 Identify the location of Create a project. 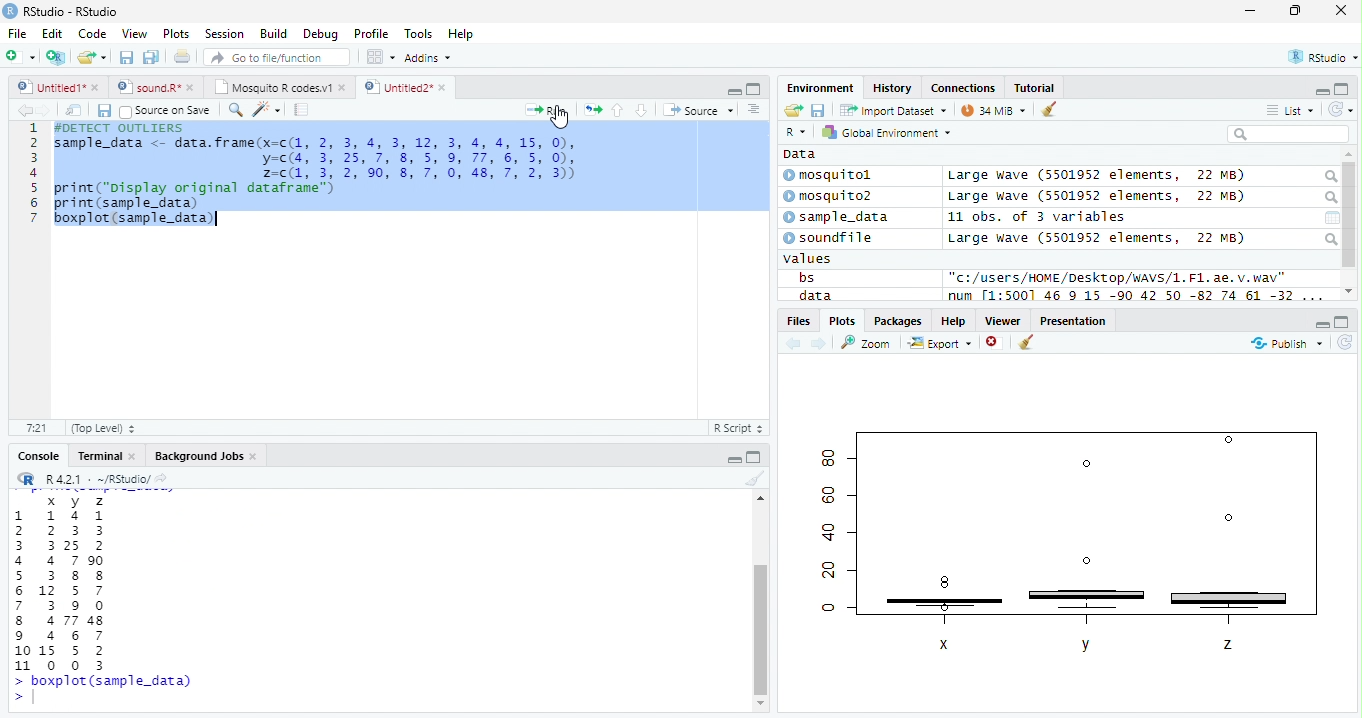
(58, 57).